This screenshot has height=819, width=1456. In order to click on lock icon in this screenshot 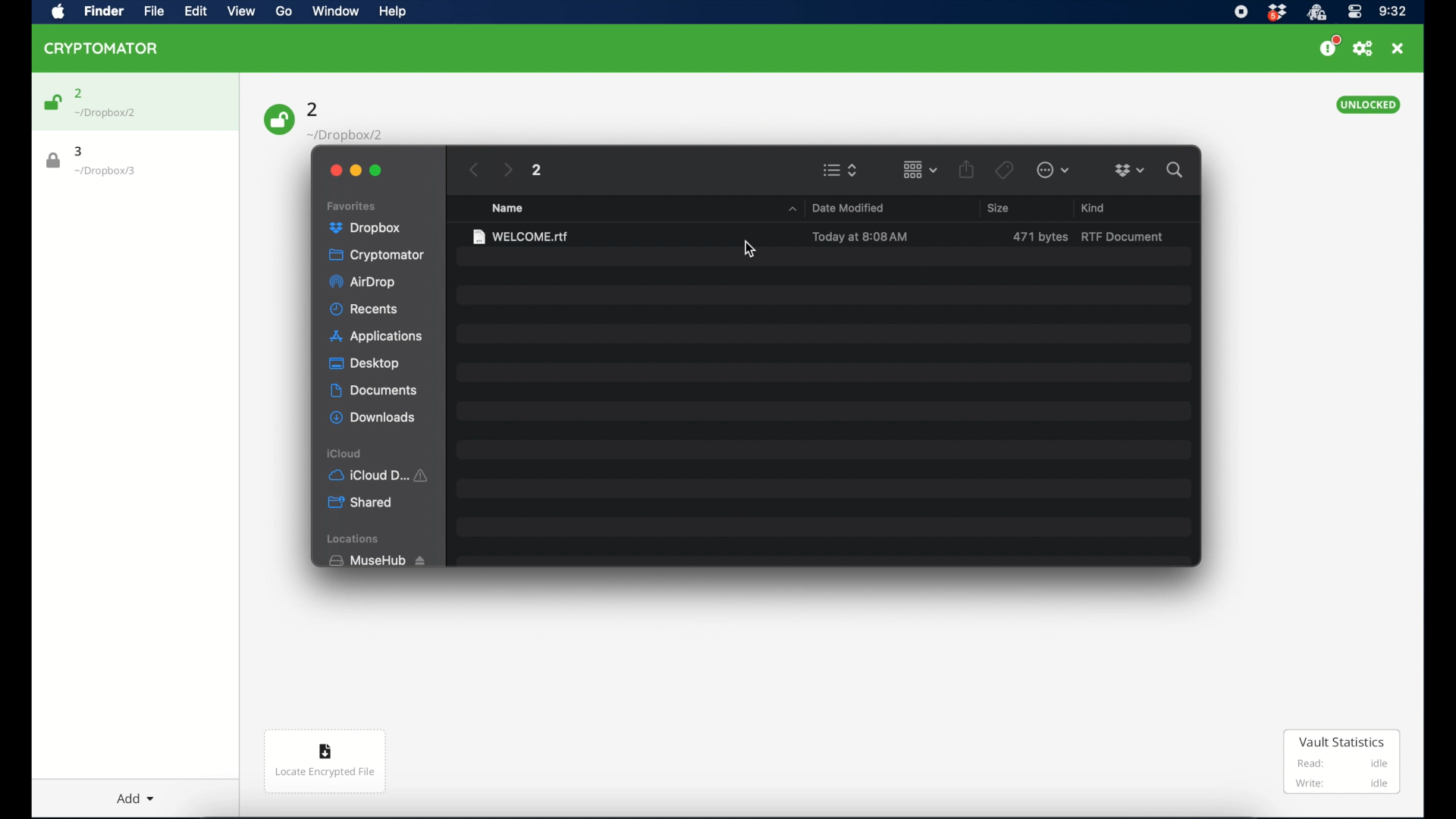, I will do `click(50, 160)`.